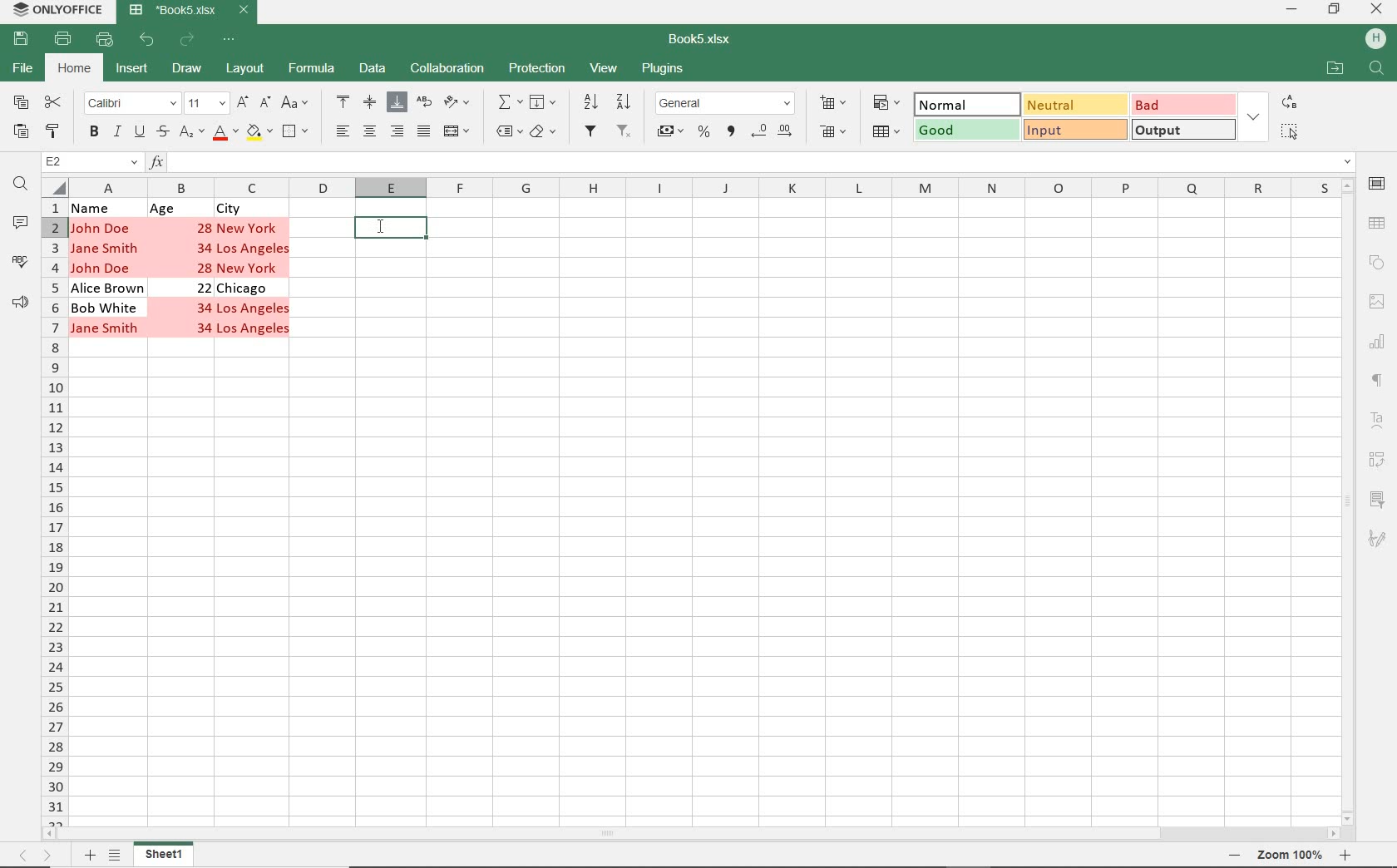 This screenshot has width=1397, height=868. I want to click on UNDO, so click(148, 39).